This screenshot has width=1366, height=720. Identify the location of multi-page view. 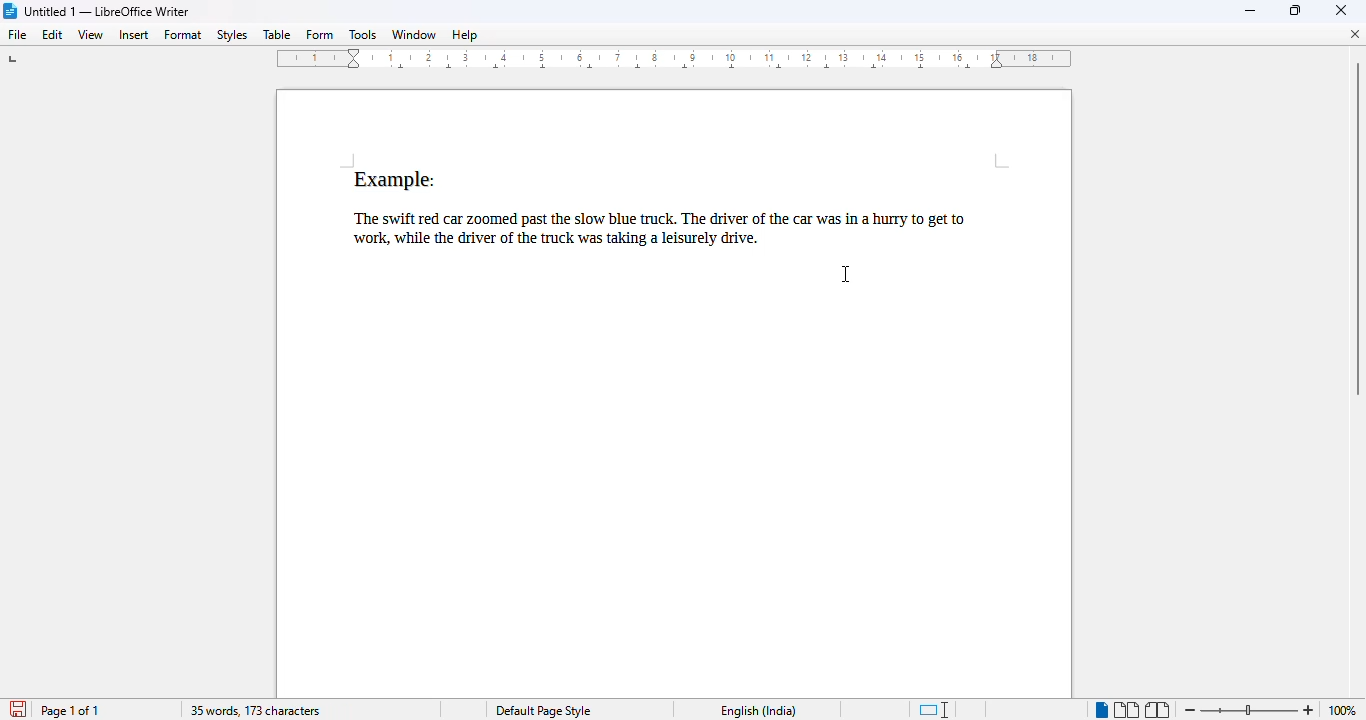
(1126, 710).